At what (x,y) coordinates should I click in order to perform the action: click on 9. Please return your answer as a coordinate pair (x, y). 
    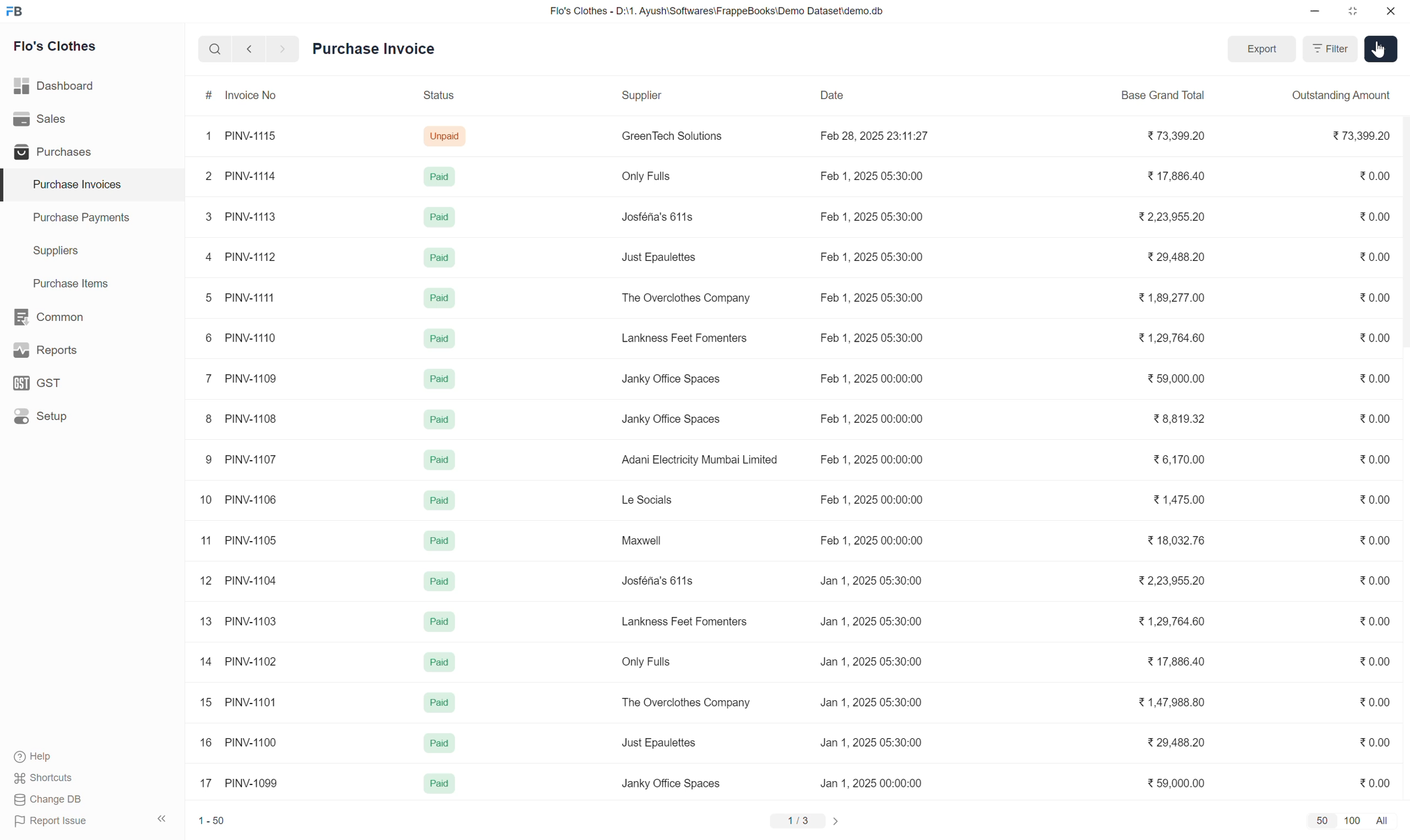
    Looking at the image, I should click on (208, 460).